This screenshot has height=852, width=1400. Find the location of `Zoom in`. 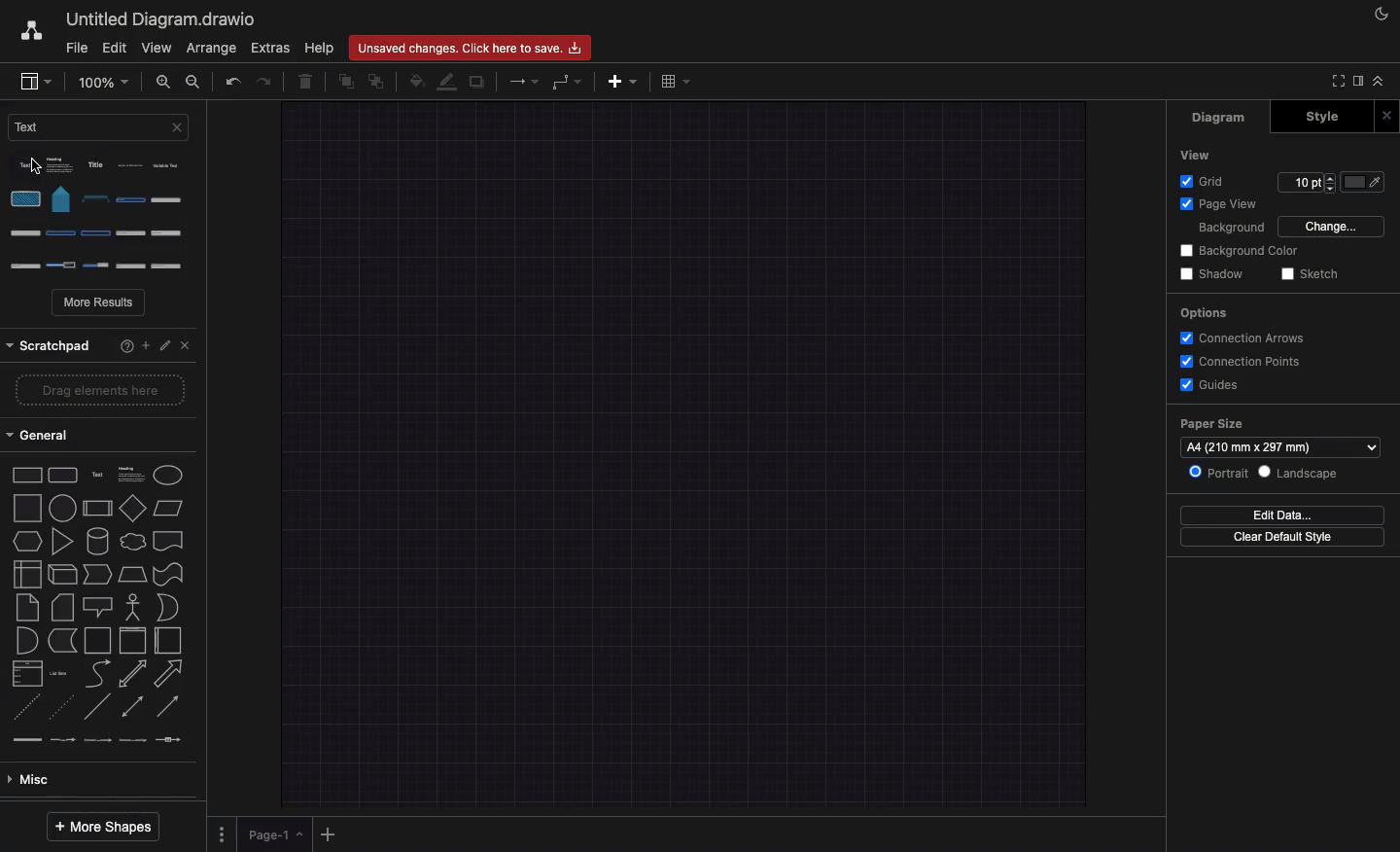

Zoom in is located at coordinates (164, 85).